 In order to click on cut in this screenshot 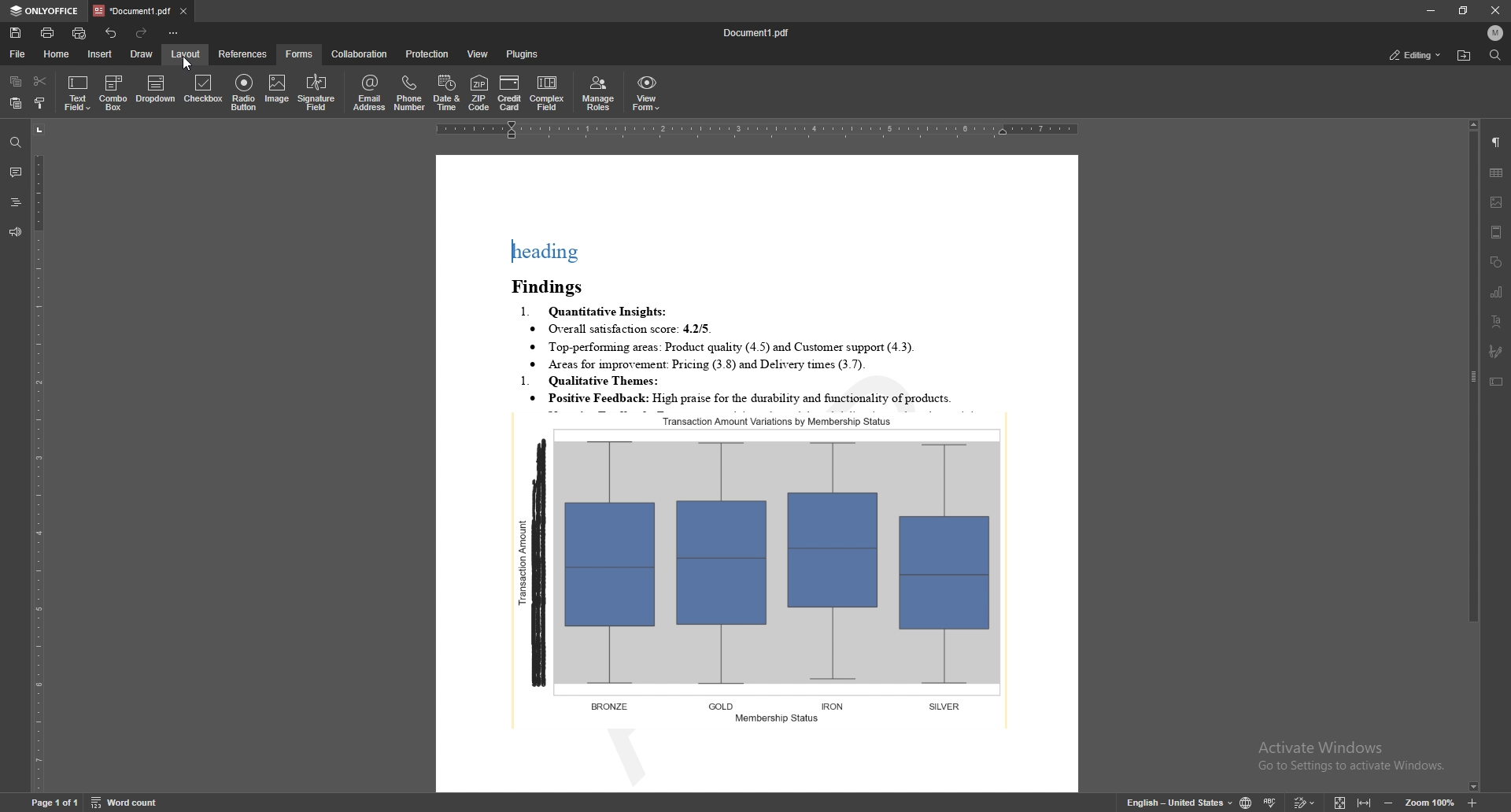, I will do `click(42, 80)`.